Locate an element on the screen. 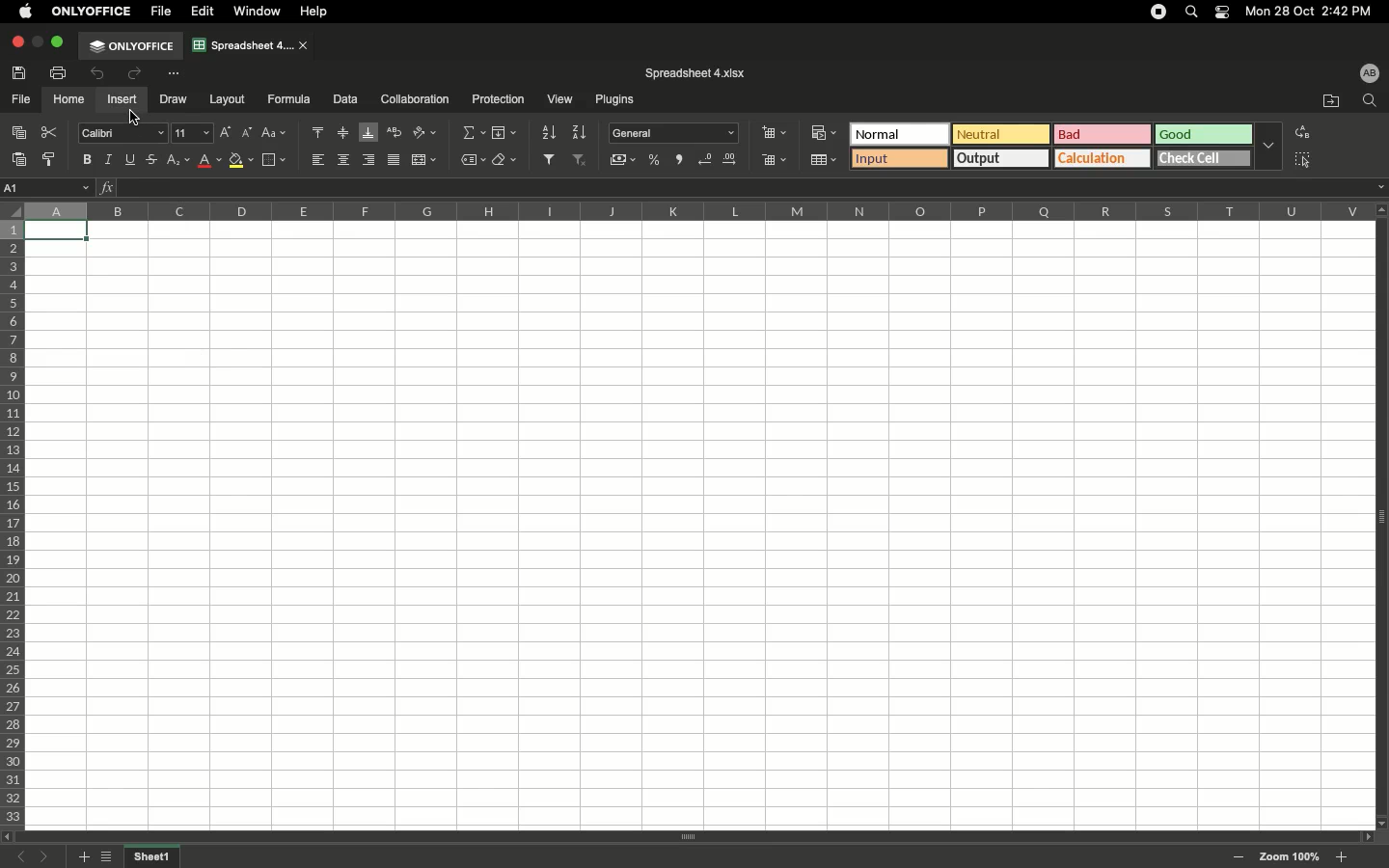 The height and width of the screenshot is (868, 1389). Recording is located at coordinates (1158, 12).